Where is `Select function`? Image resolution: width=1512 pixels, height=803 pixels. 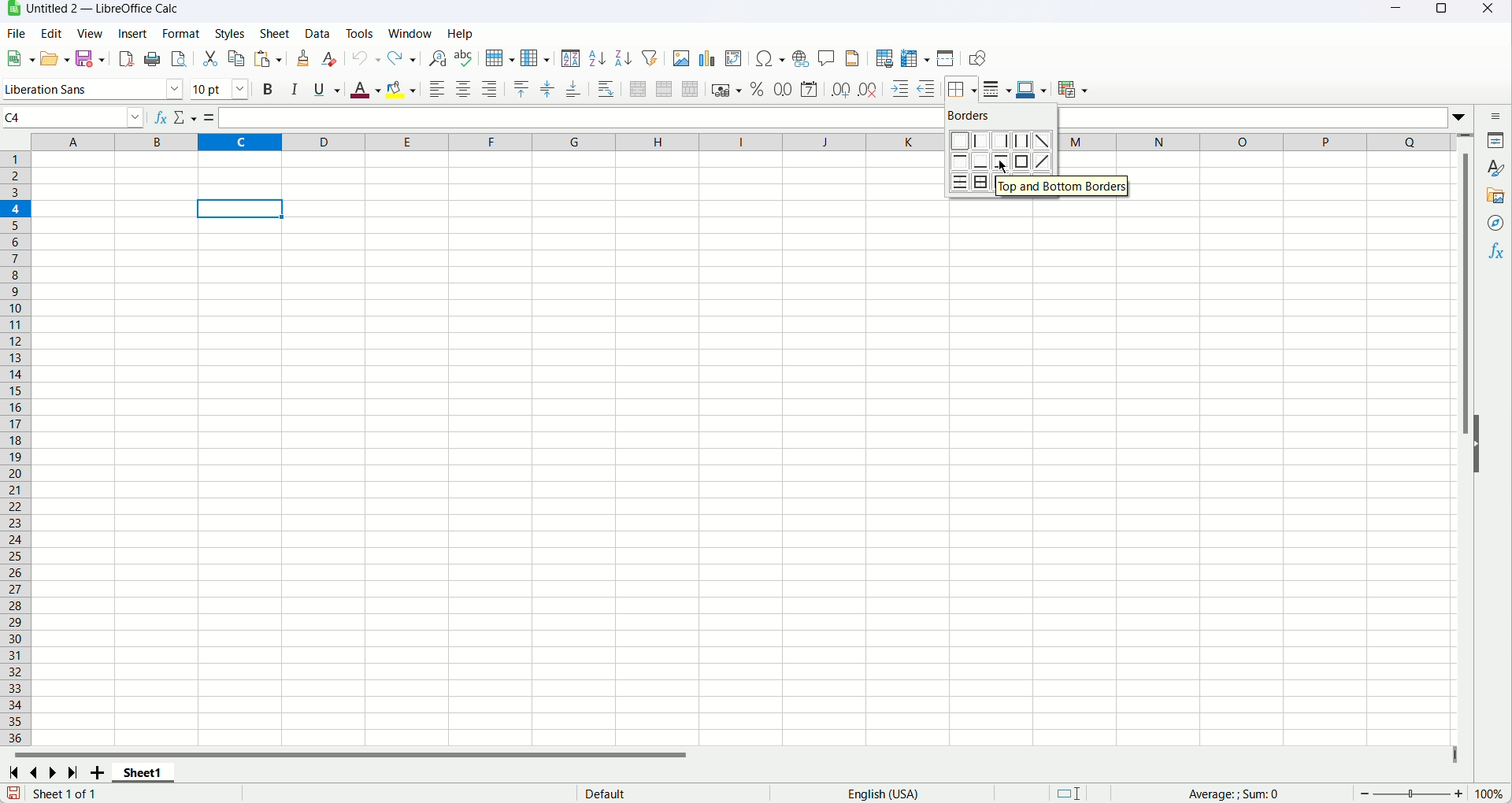 Select function is located at coordinates (187, 119).